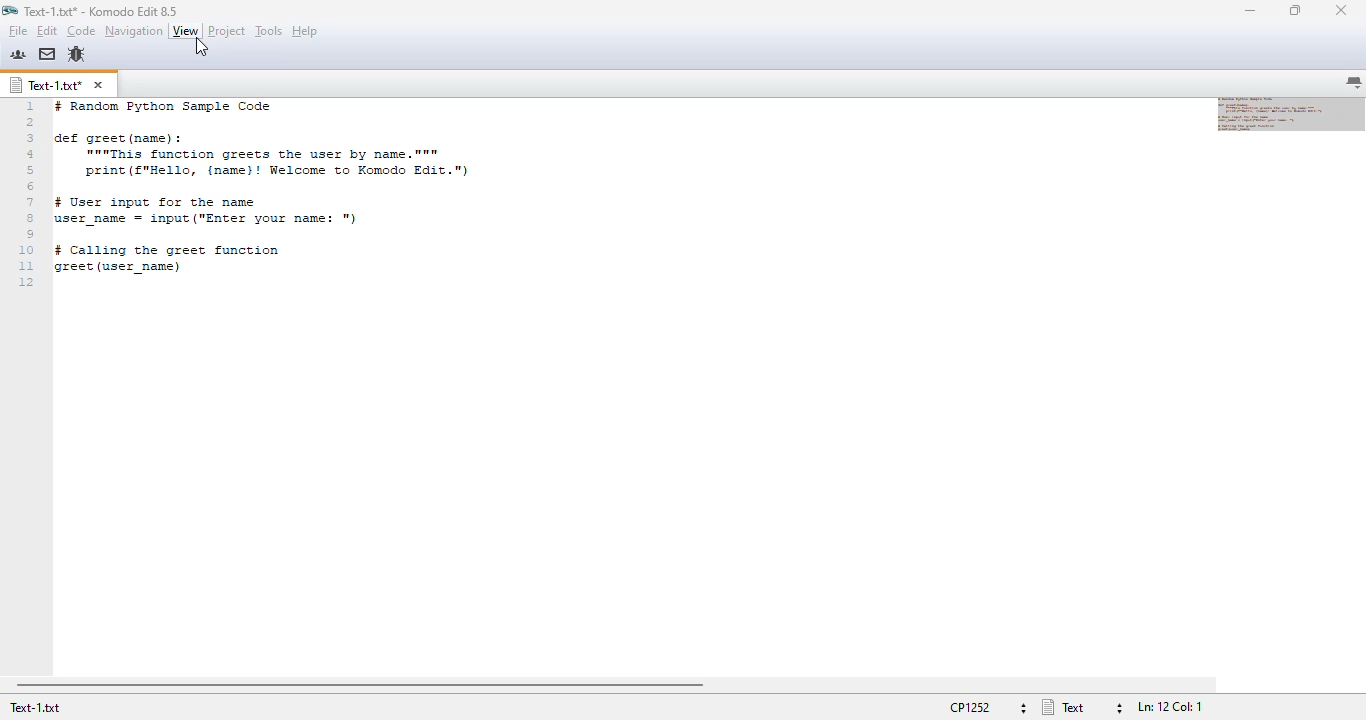 This screenshot has height=720, width=1366. Describe the element at coordinates (134, 31) in the screenshot. I see `navigation` at that location.